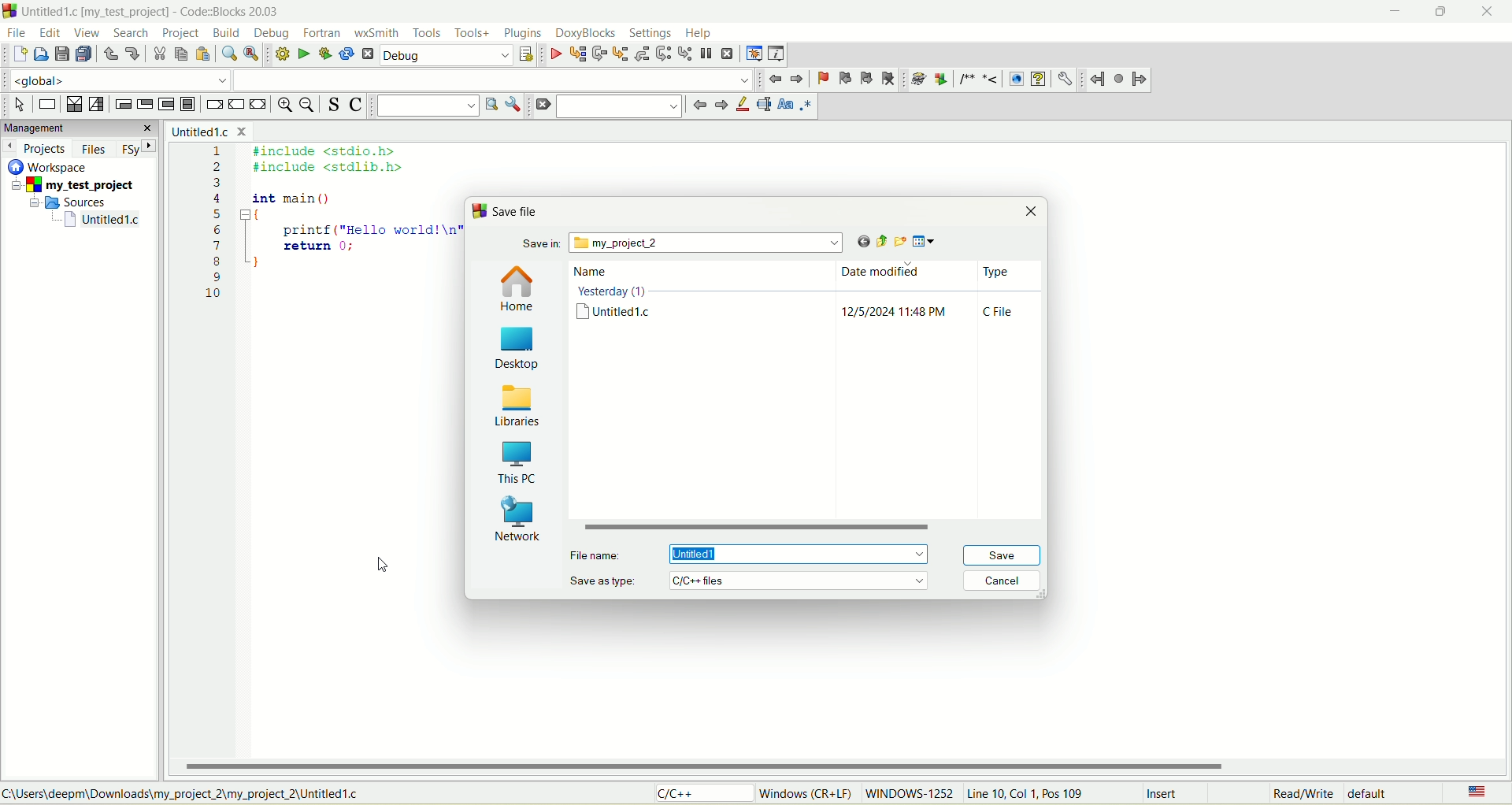  Describe the element at coordinates (928, 242) in the screenshot. I see `view` at that location.